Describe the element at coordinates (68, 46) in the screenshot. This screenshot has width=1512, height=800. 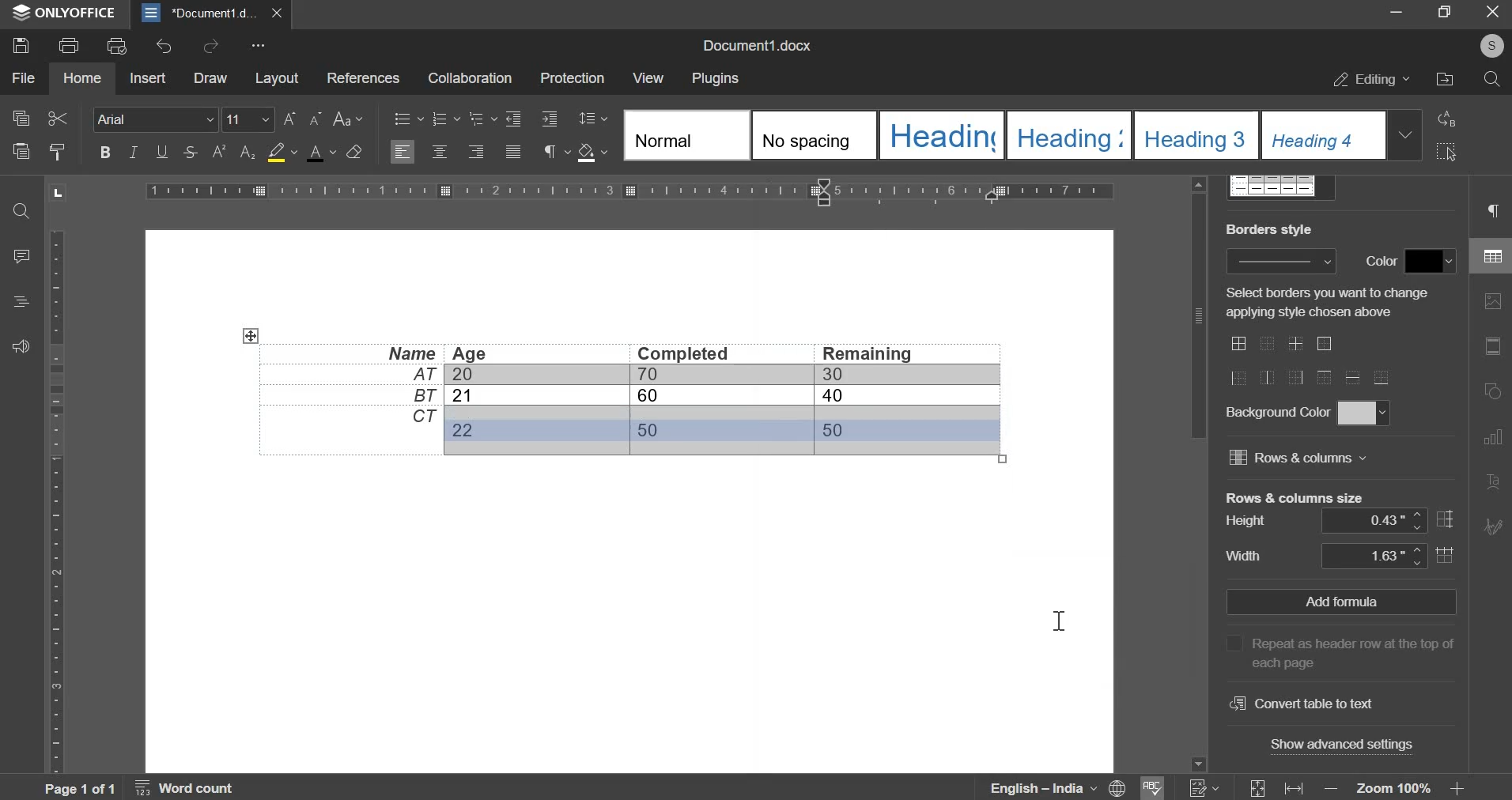
I see `print` at that location.